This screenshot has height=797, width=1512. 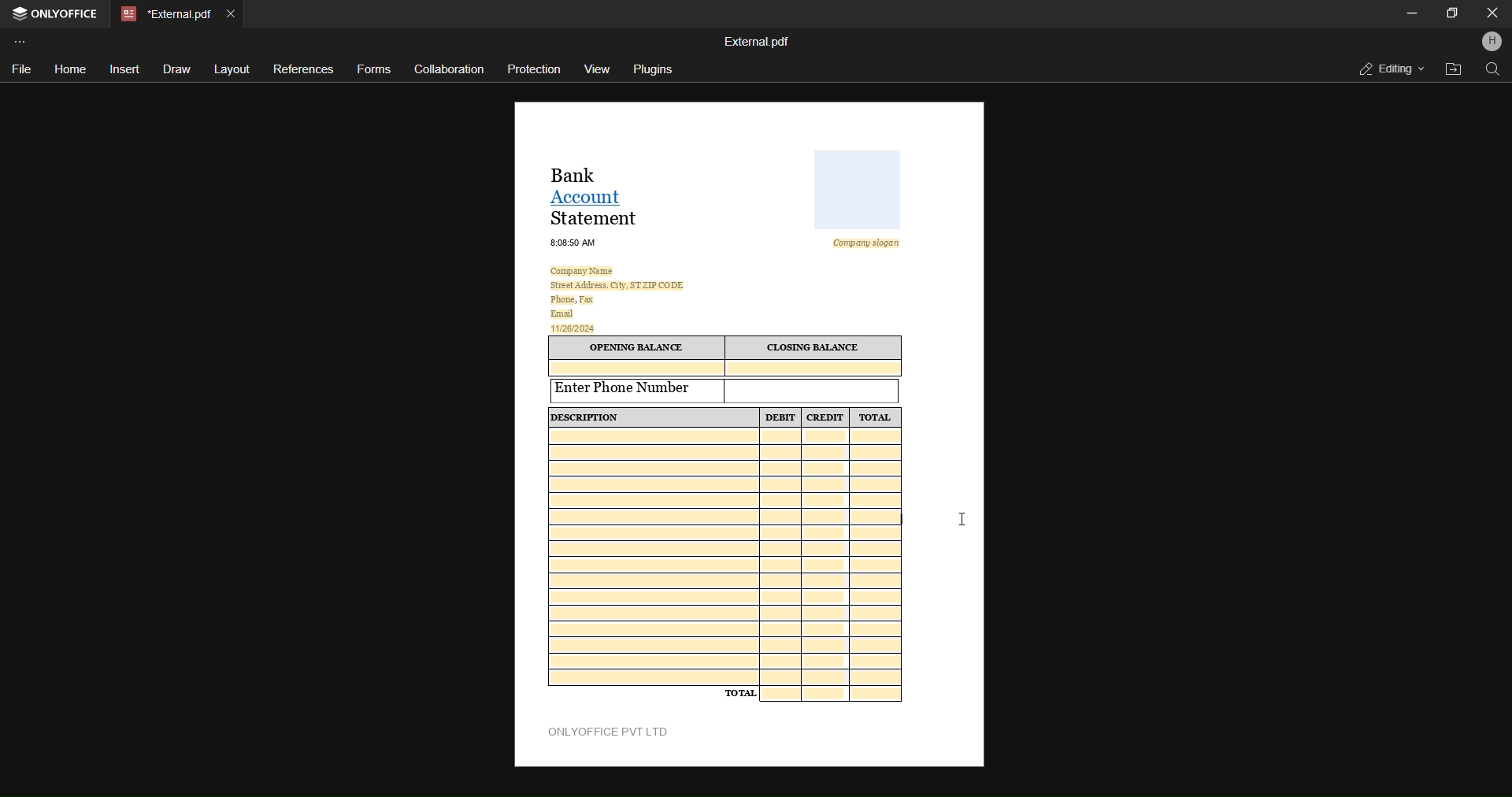 I want to click on customize toolbar, so click(x=24, y=40).